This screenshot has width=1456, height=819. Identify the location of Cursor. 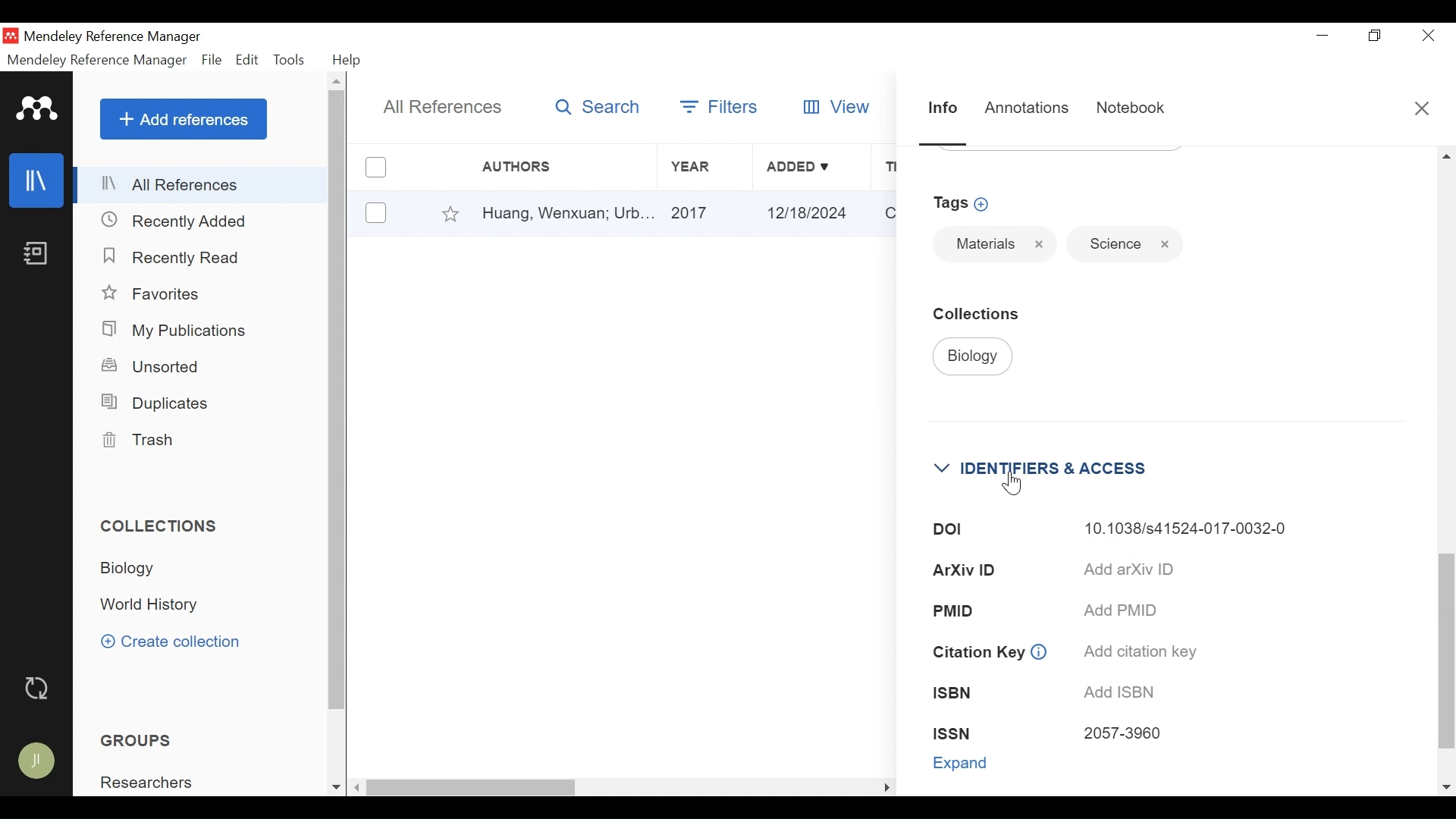
(1013, 481).